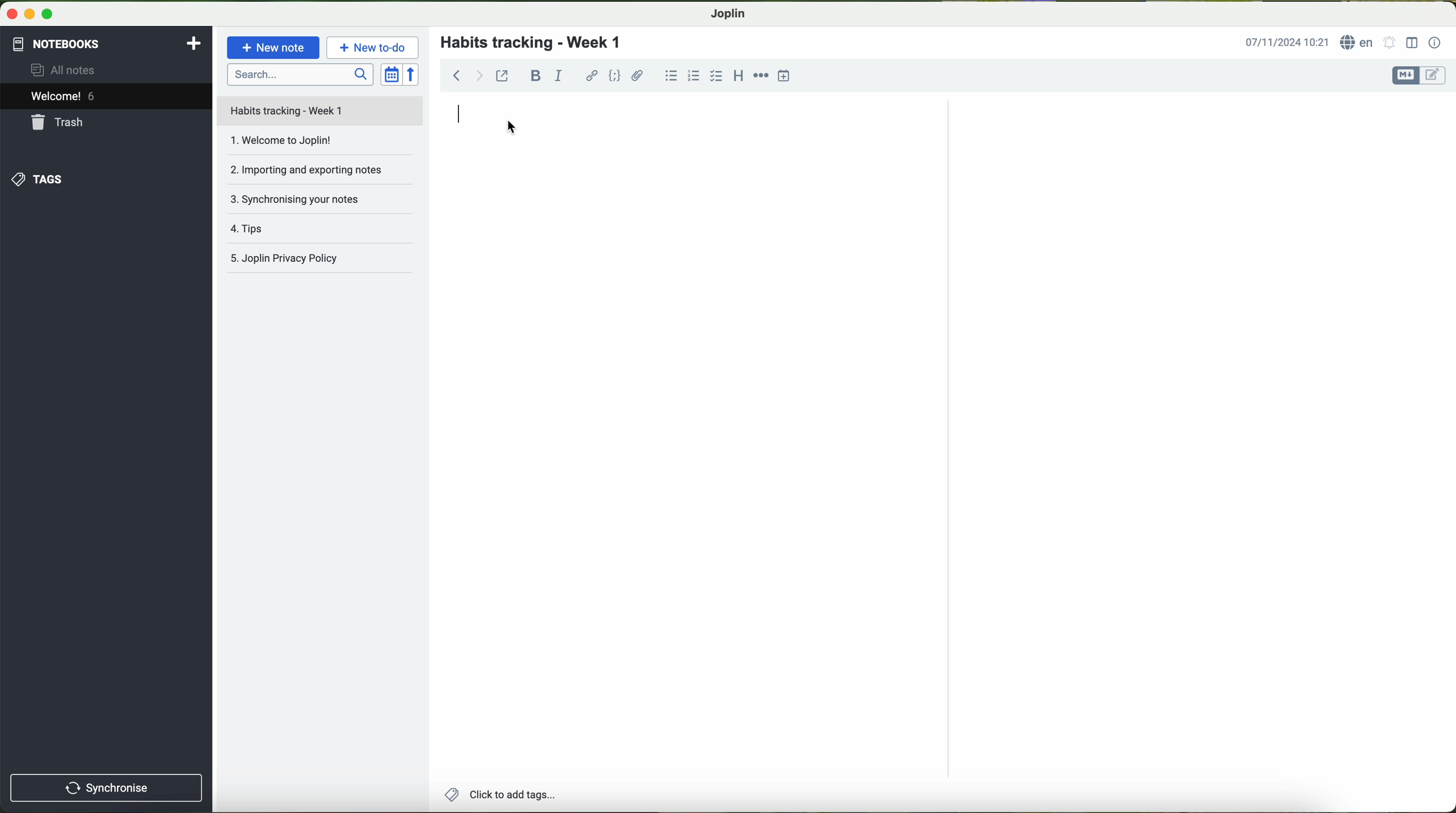 Image resolution: width=1456 pixels, height=813 pixels. What do you see at coordinates (299, 74) in the screenshot?
I see `search bar` at bounding box center [299, 74].